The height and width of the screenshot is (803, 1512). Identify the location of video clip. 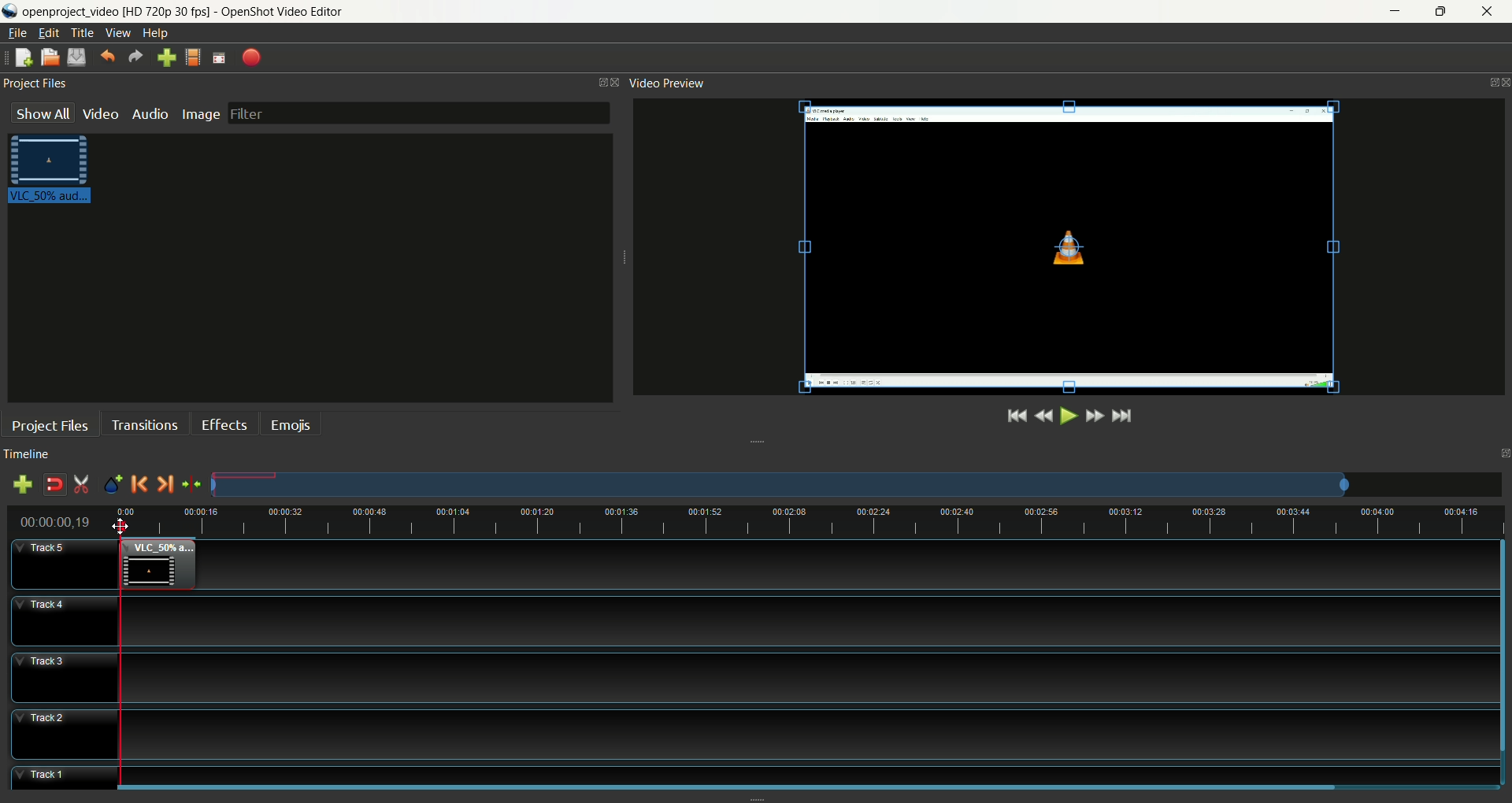
(157, 565).